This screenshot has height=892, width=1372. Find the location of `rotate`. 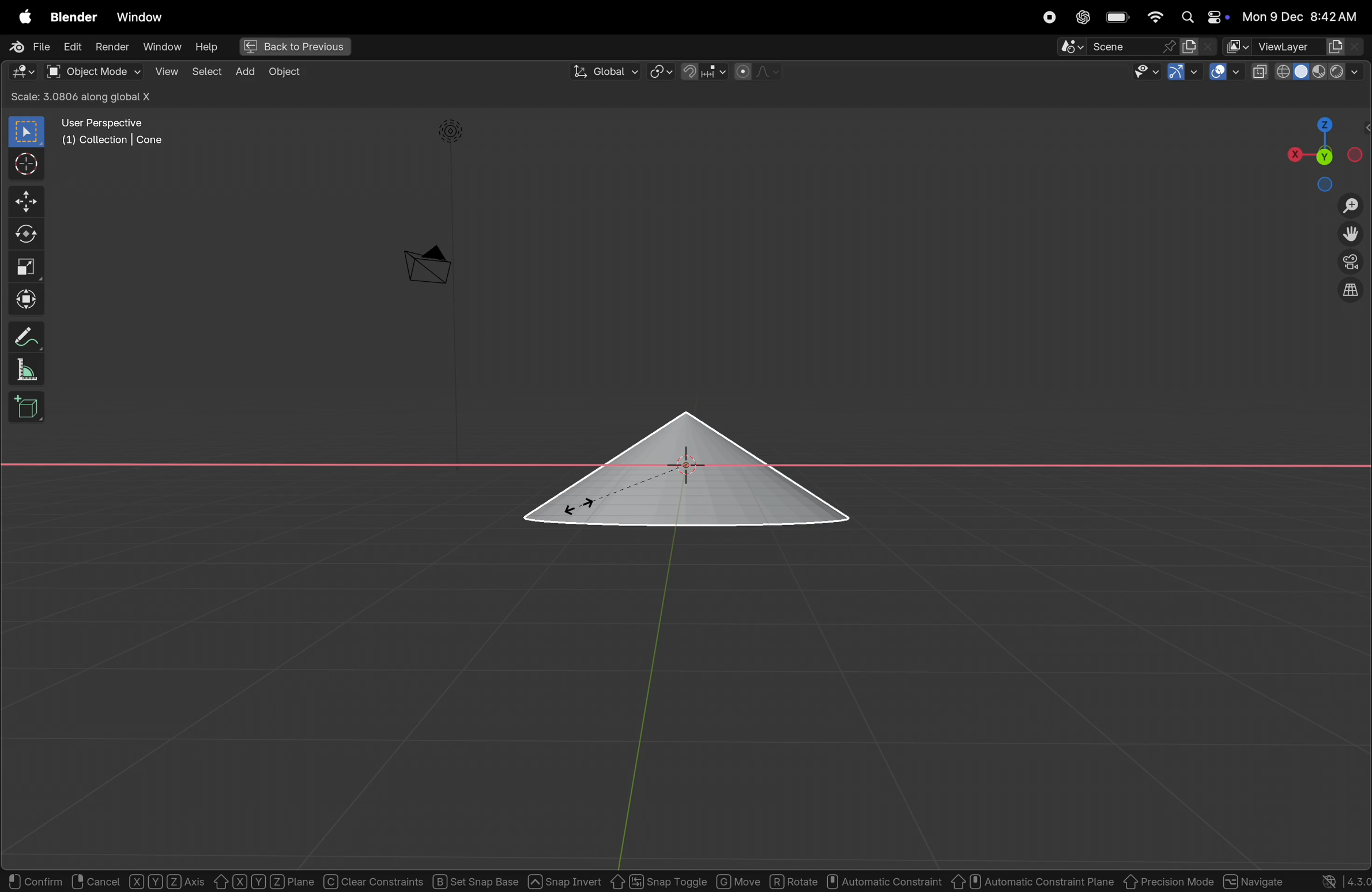

rotate is located at coordinates (24, 235).